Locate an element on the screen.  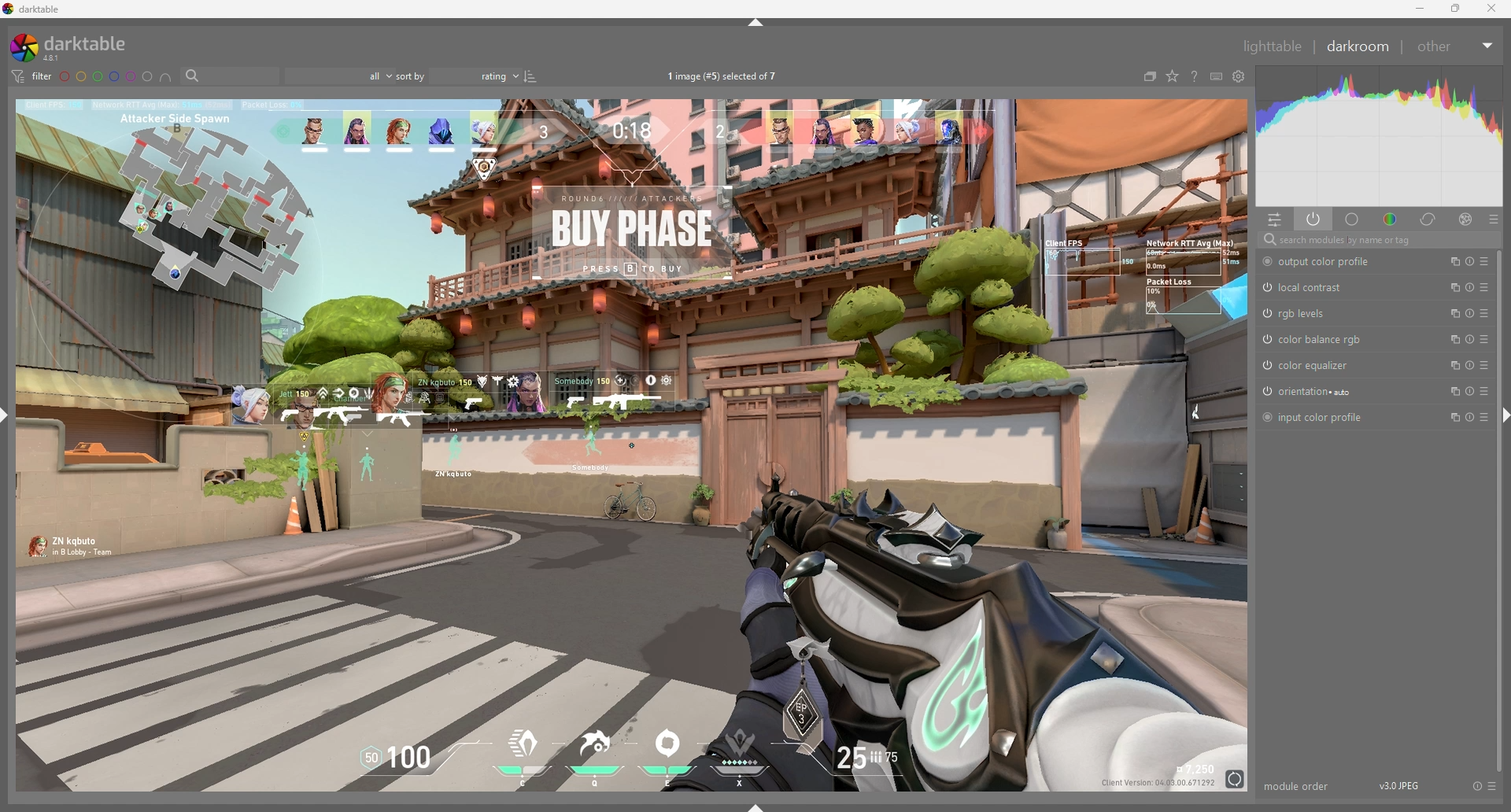
presets is located at coordinates (1491, 786).